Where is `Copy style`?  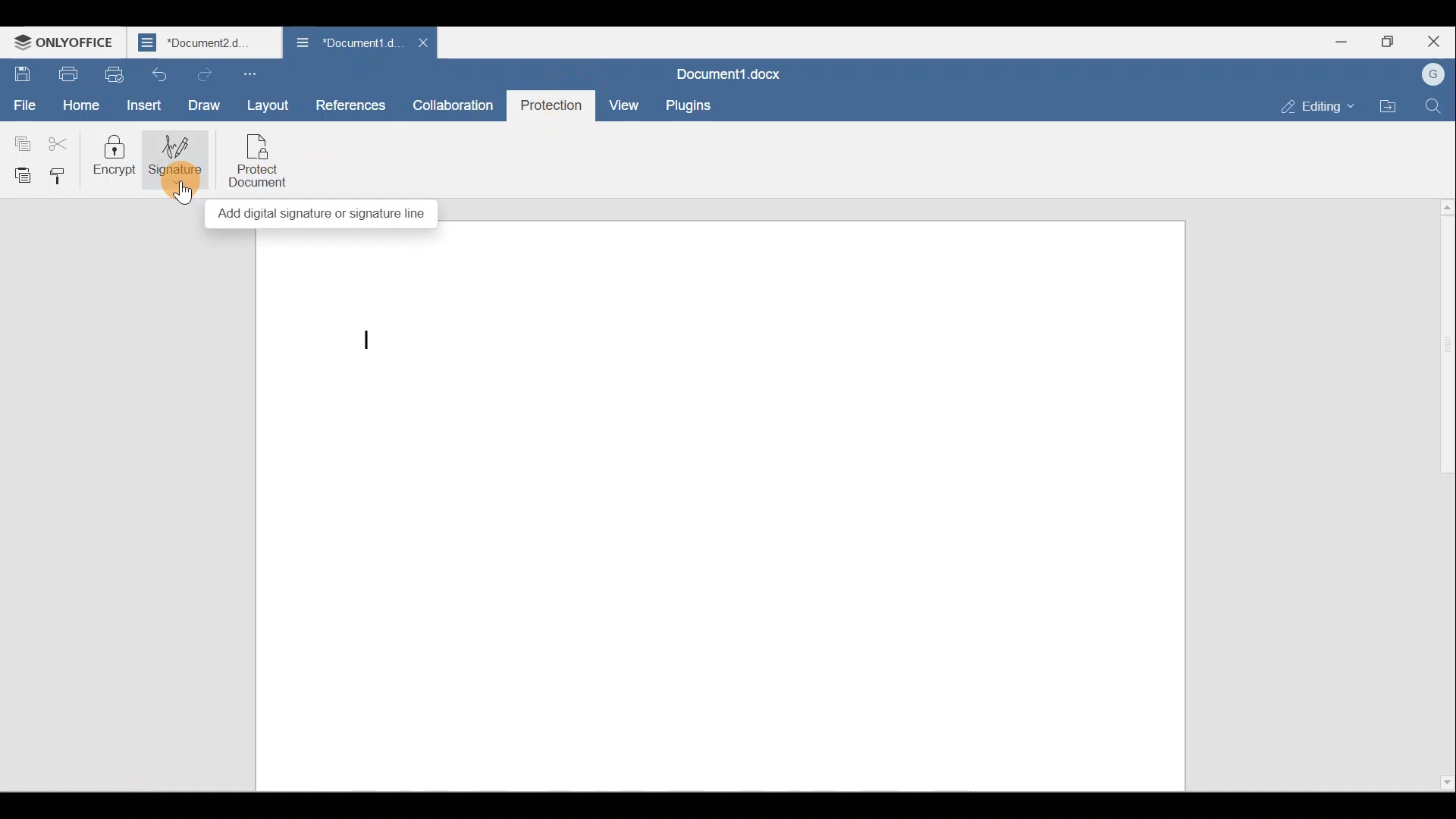
Copy style is located at coordinates (58, 174).